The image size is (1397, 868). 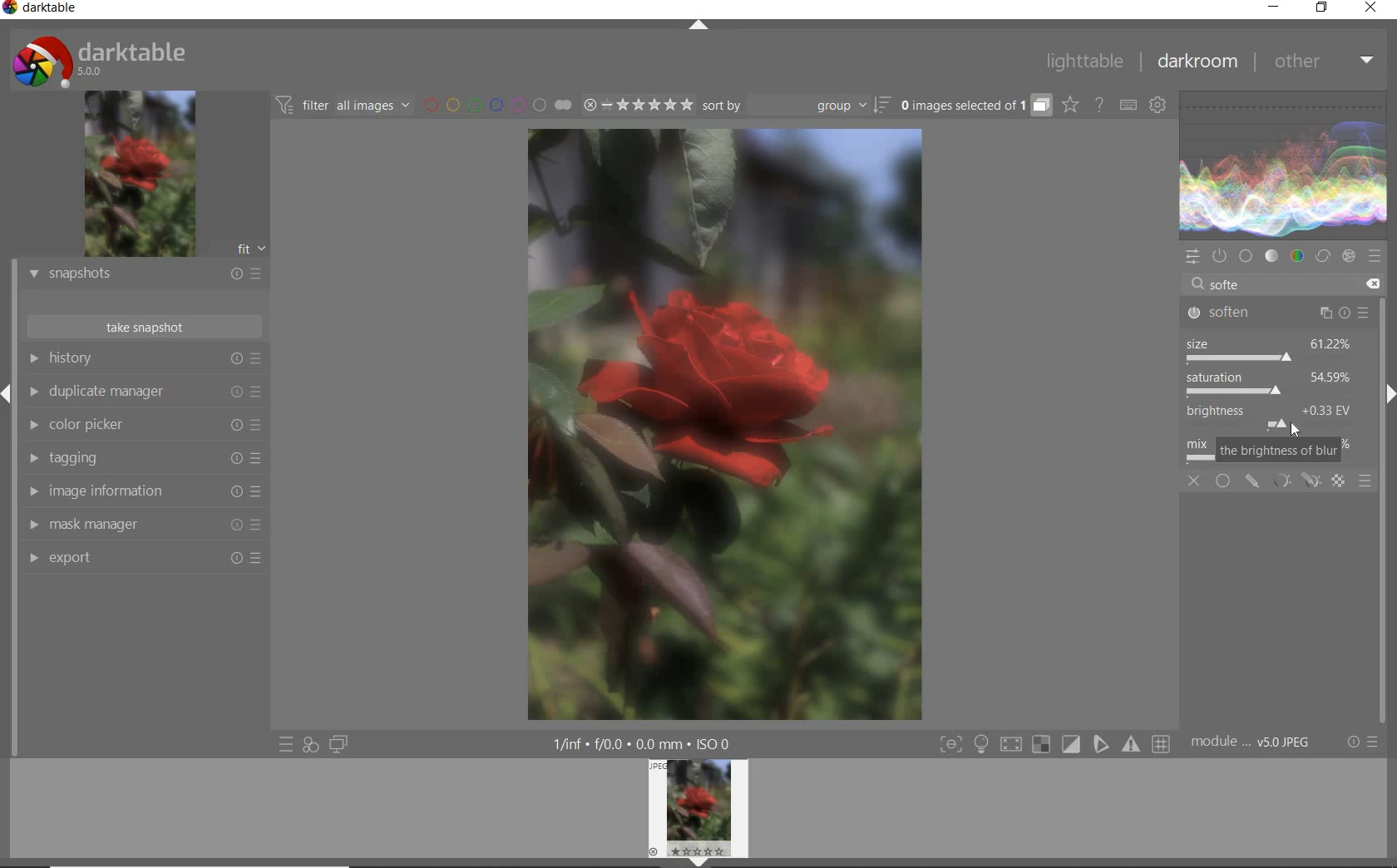 What do you see at coordinates (1294, 431) in the screenshot?
I see `cursor position` at bounding box center [1294, 431].